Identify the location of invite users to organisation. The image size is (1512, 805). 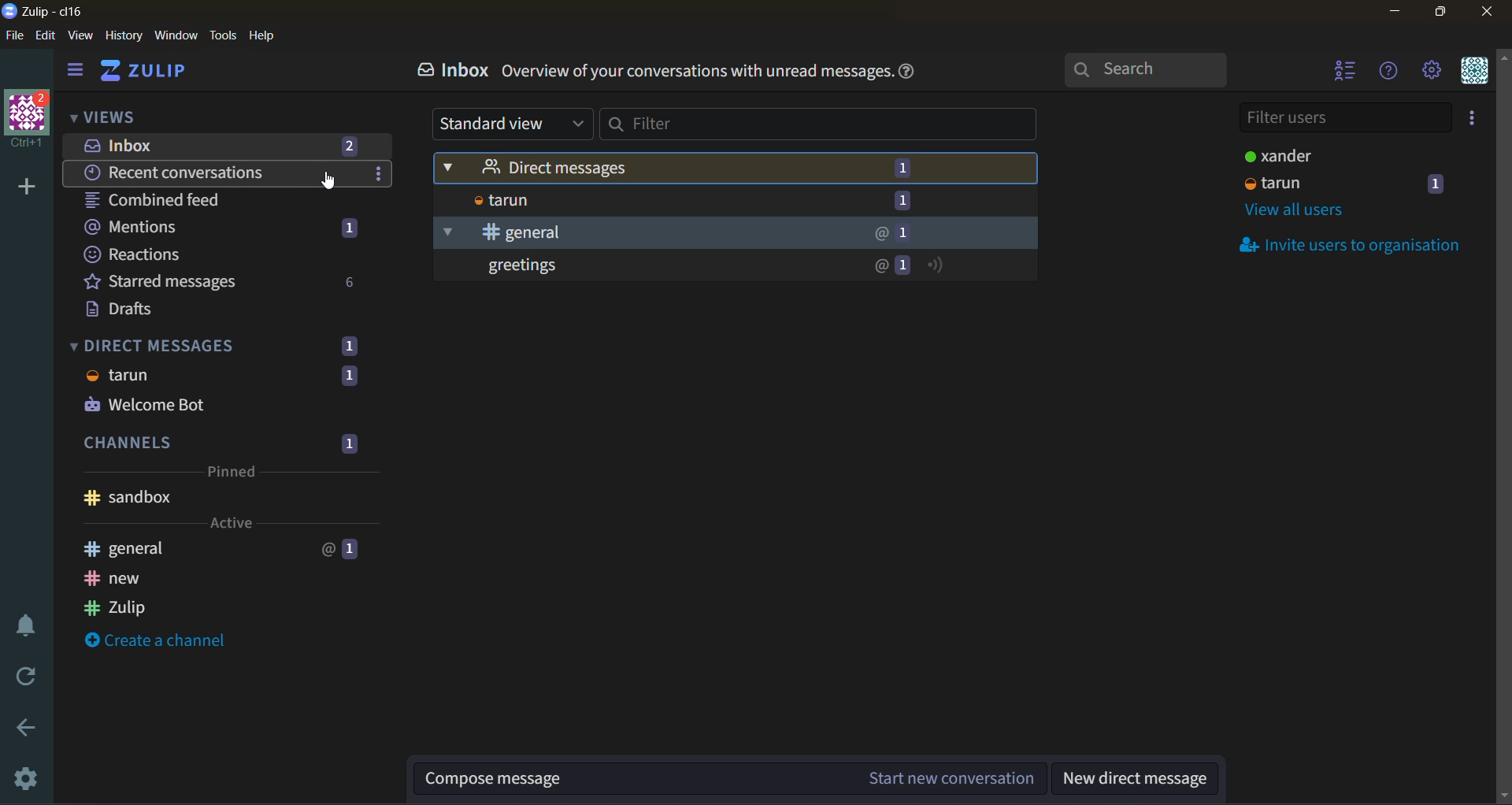
(1356, 247).